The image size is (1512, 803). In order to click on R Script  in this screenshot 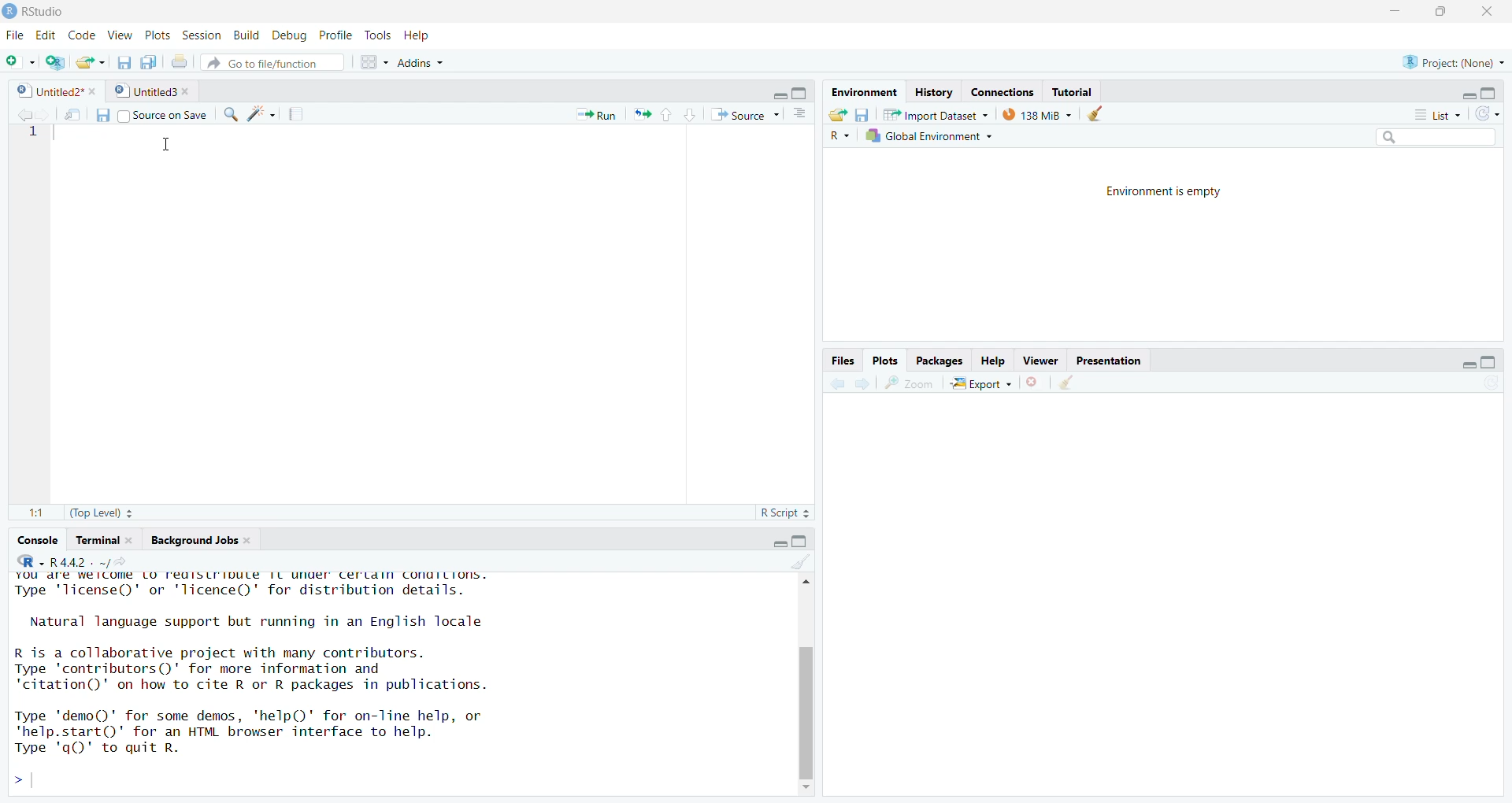, I will do `click(780, 515)`.